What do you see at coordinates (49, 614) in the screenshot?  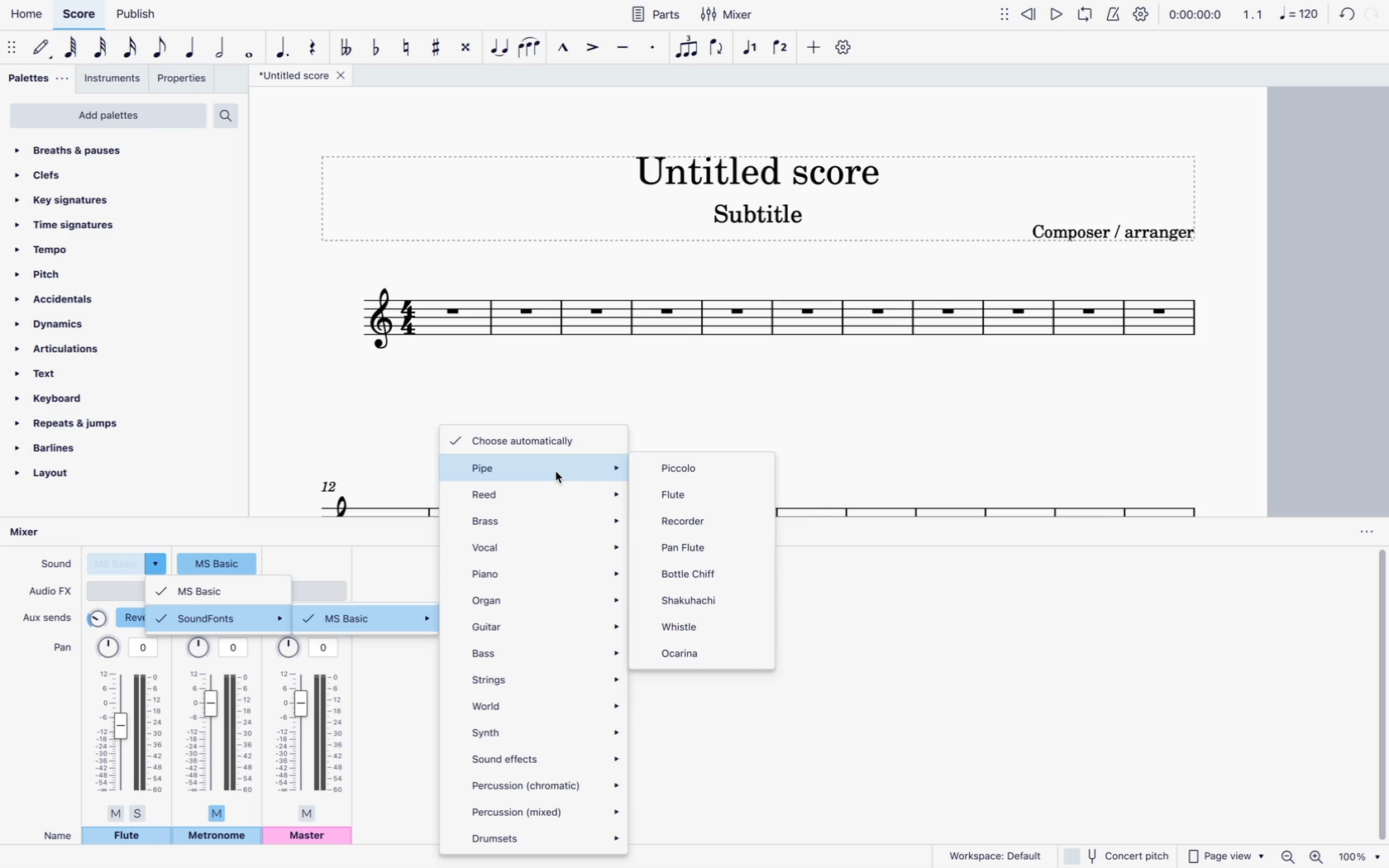 I see `aux sends` at bounding box center [49, 614].